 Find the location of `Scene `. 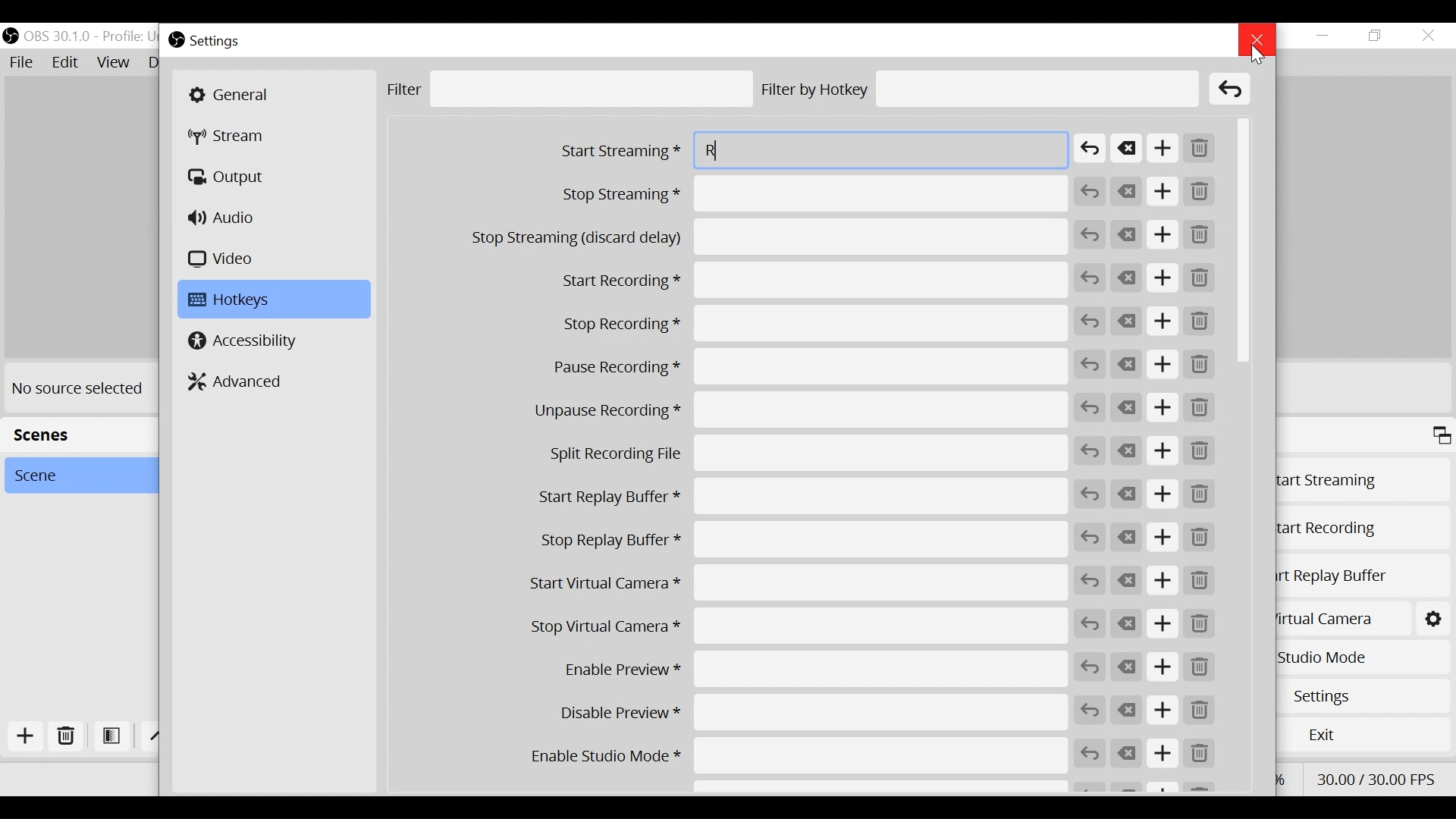

Scene  is located at coordinates (74, 475).